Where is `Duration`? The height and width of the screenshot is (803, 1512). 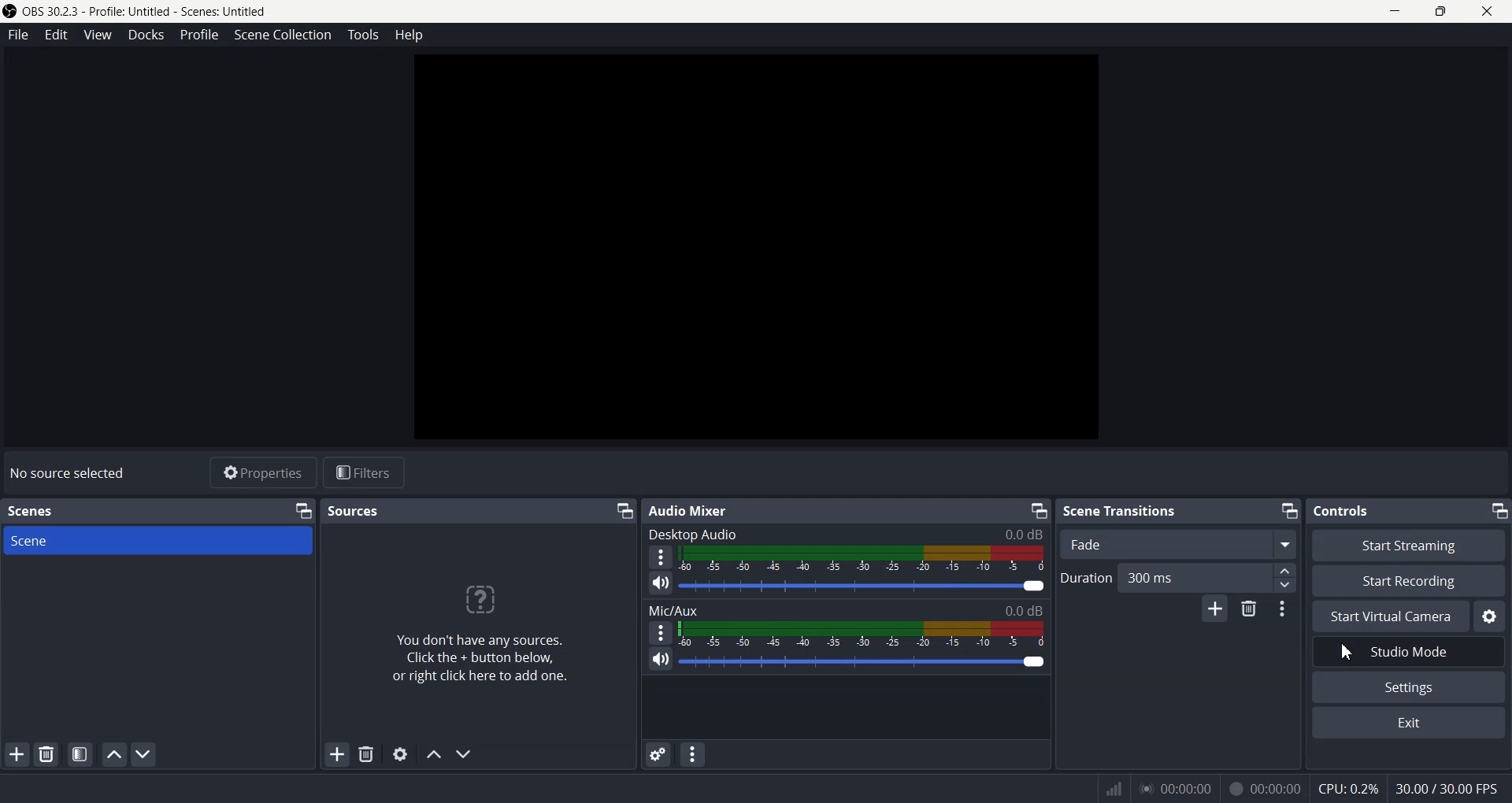
Duration is located at coordinates (1164, 577).